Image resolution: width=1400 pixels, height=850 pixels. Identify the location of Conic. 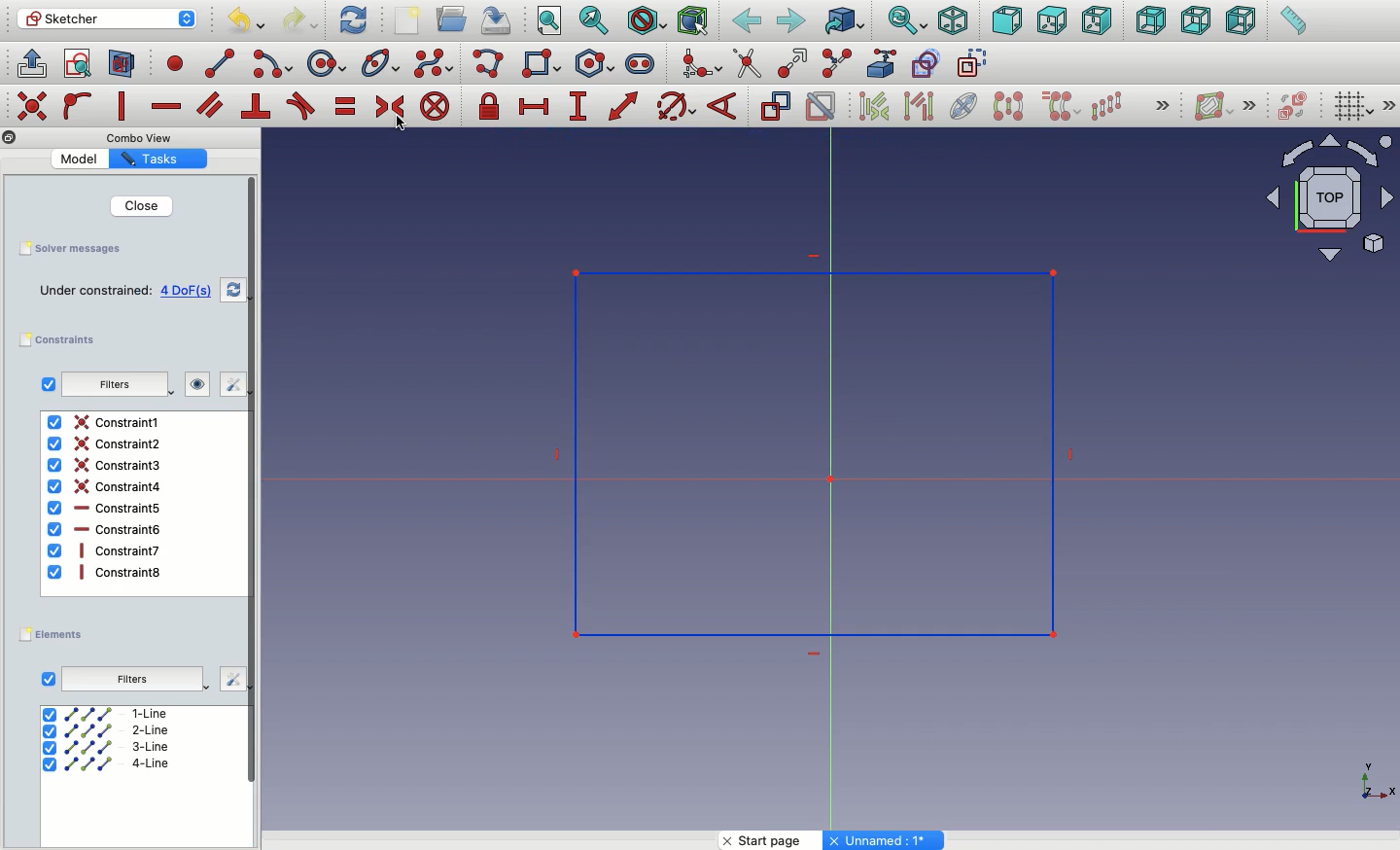
(382, 64).